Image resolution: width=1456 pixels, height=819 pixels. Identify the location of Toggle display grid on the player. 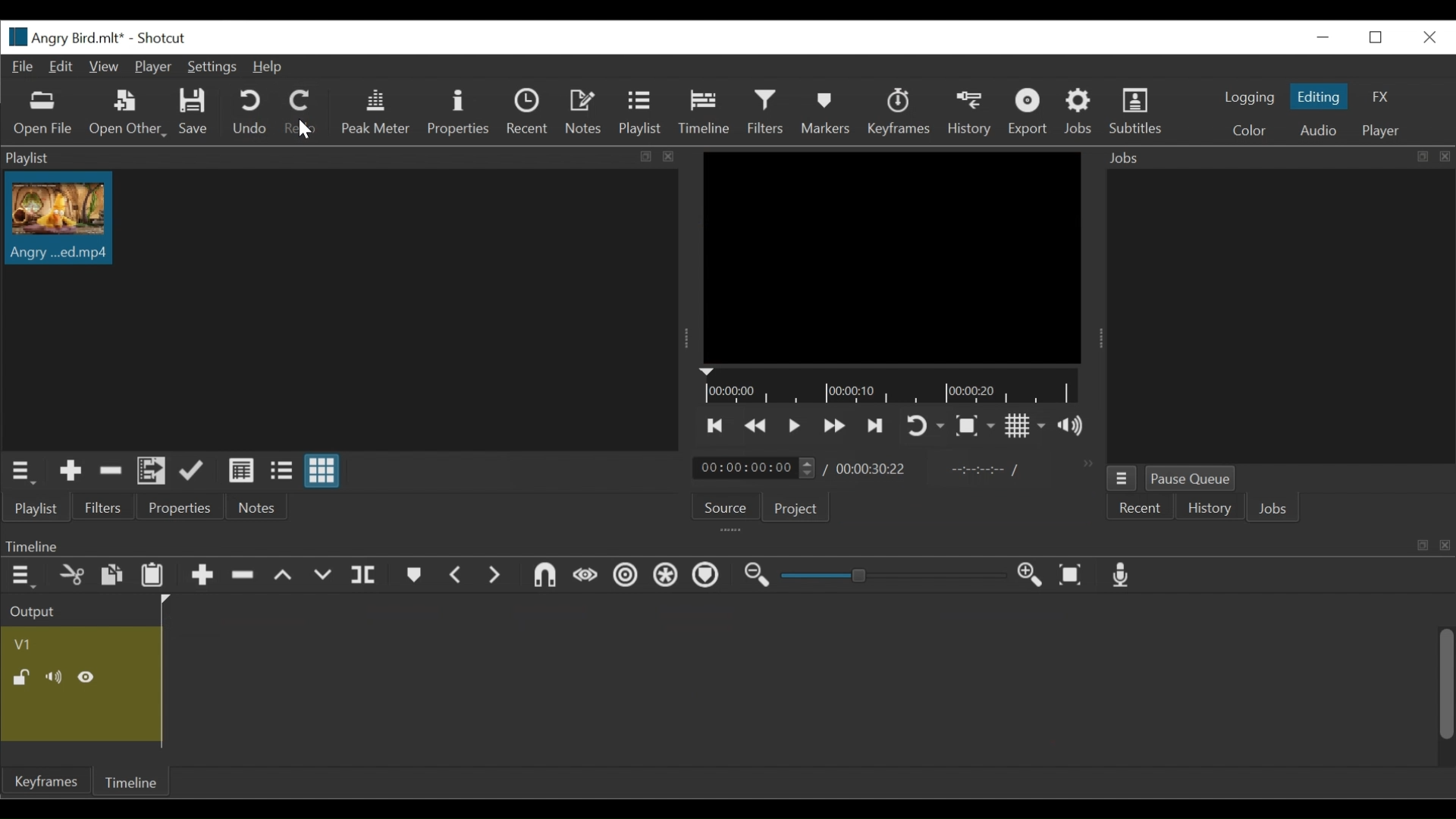
(1025, 425).